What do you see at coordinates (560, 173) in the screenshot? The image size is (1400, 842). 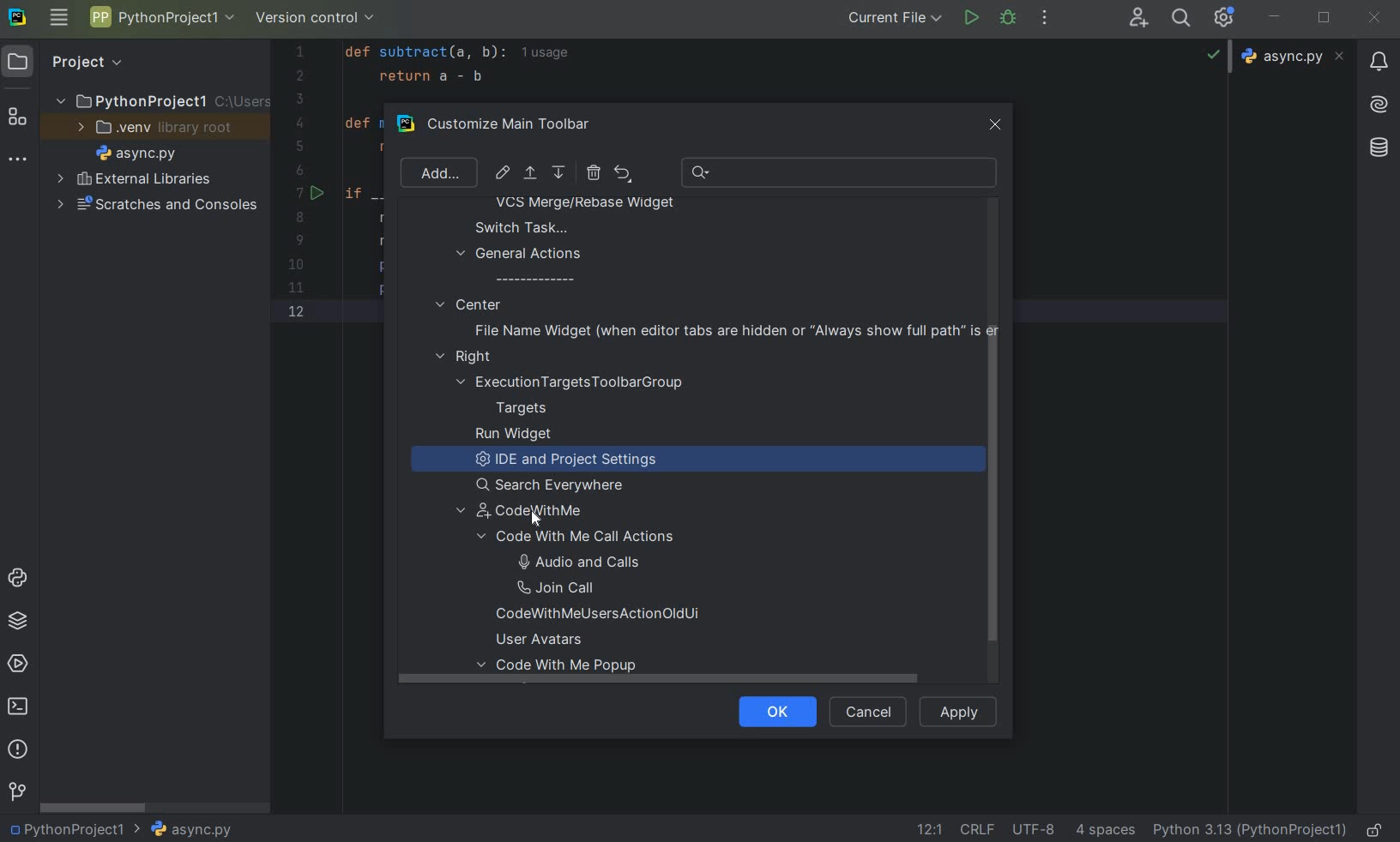 I see `MOVE DOWN` at bounding box center [560, 173].